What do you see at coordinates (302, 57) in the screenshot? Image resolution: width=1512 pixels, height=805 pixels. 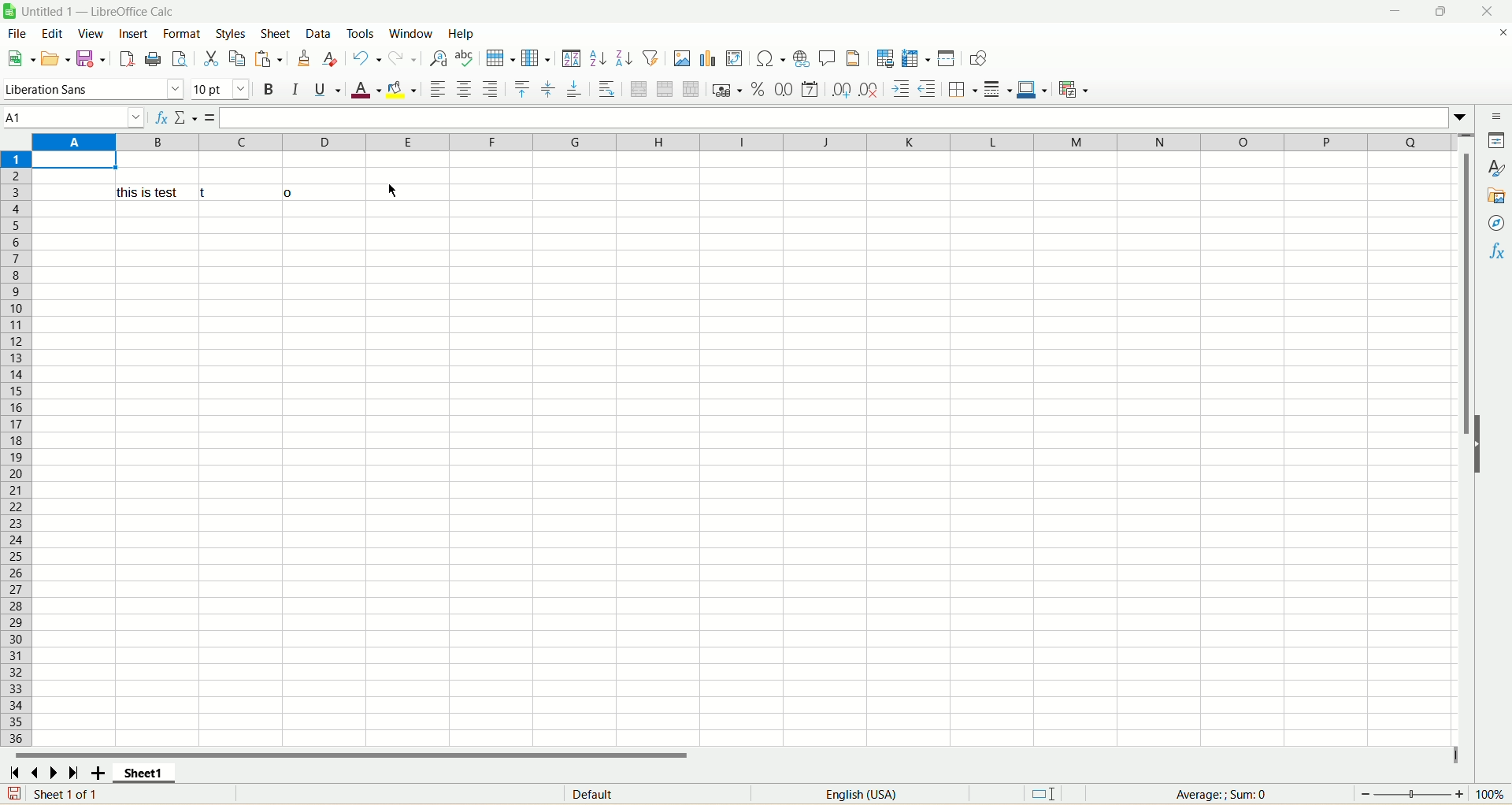 I see `clone formatting` at bounding box center [302, 57].